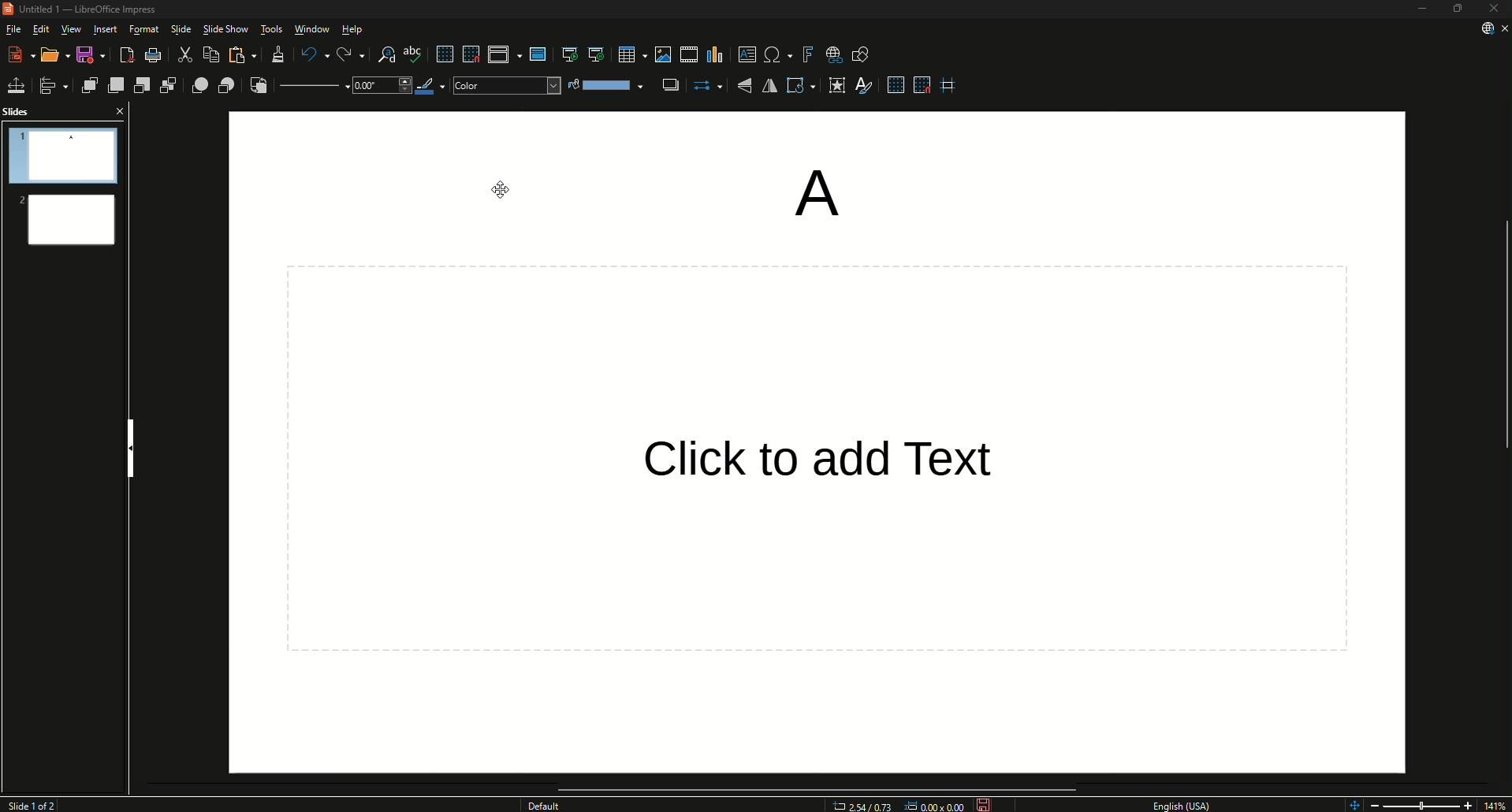  I want to click on Insert Audio or Video, so click(688, 52).